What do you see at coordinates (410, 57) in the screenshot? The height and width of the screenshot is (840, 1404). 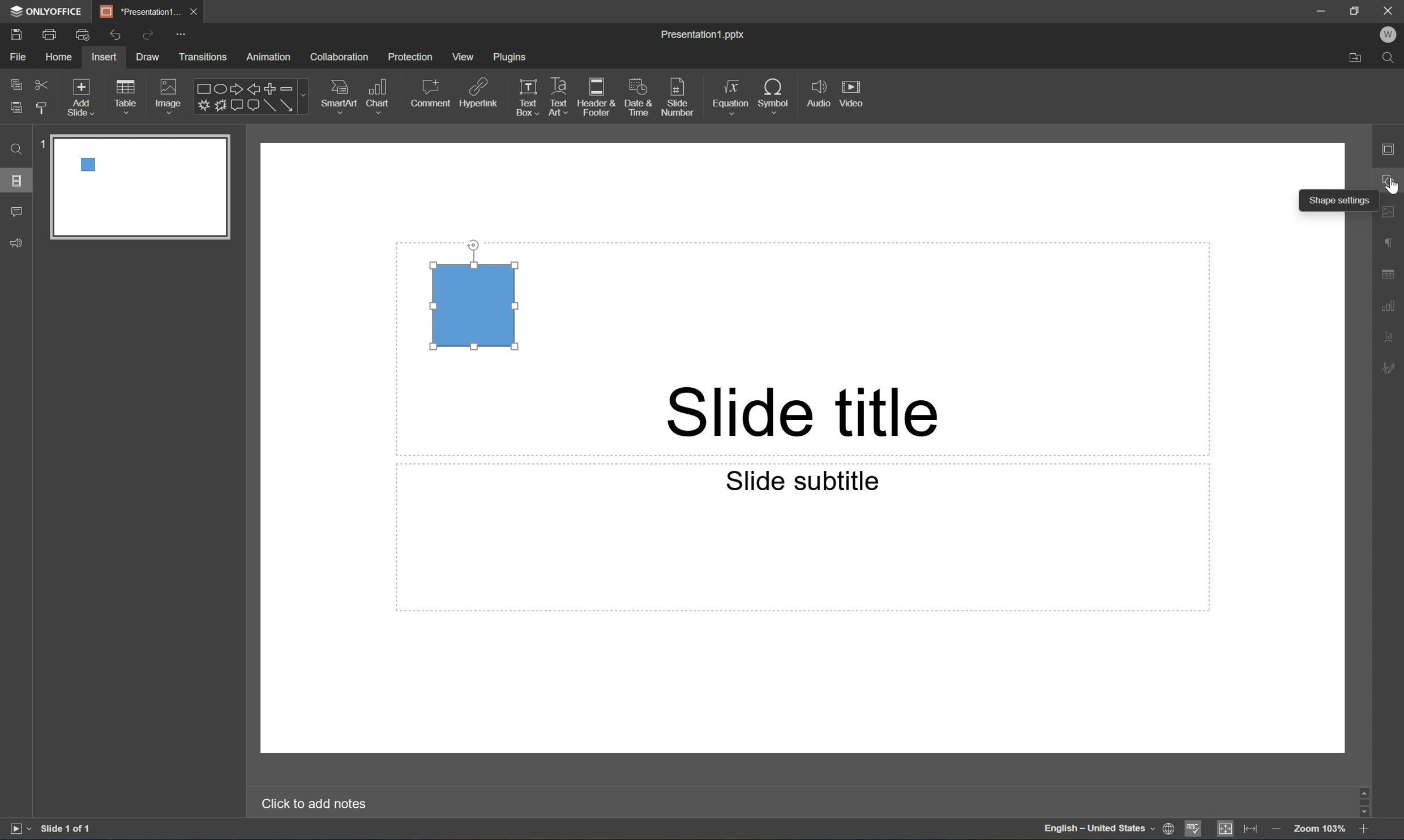 I see `Protection` at bounding box center [410, 57].